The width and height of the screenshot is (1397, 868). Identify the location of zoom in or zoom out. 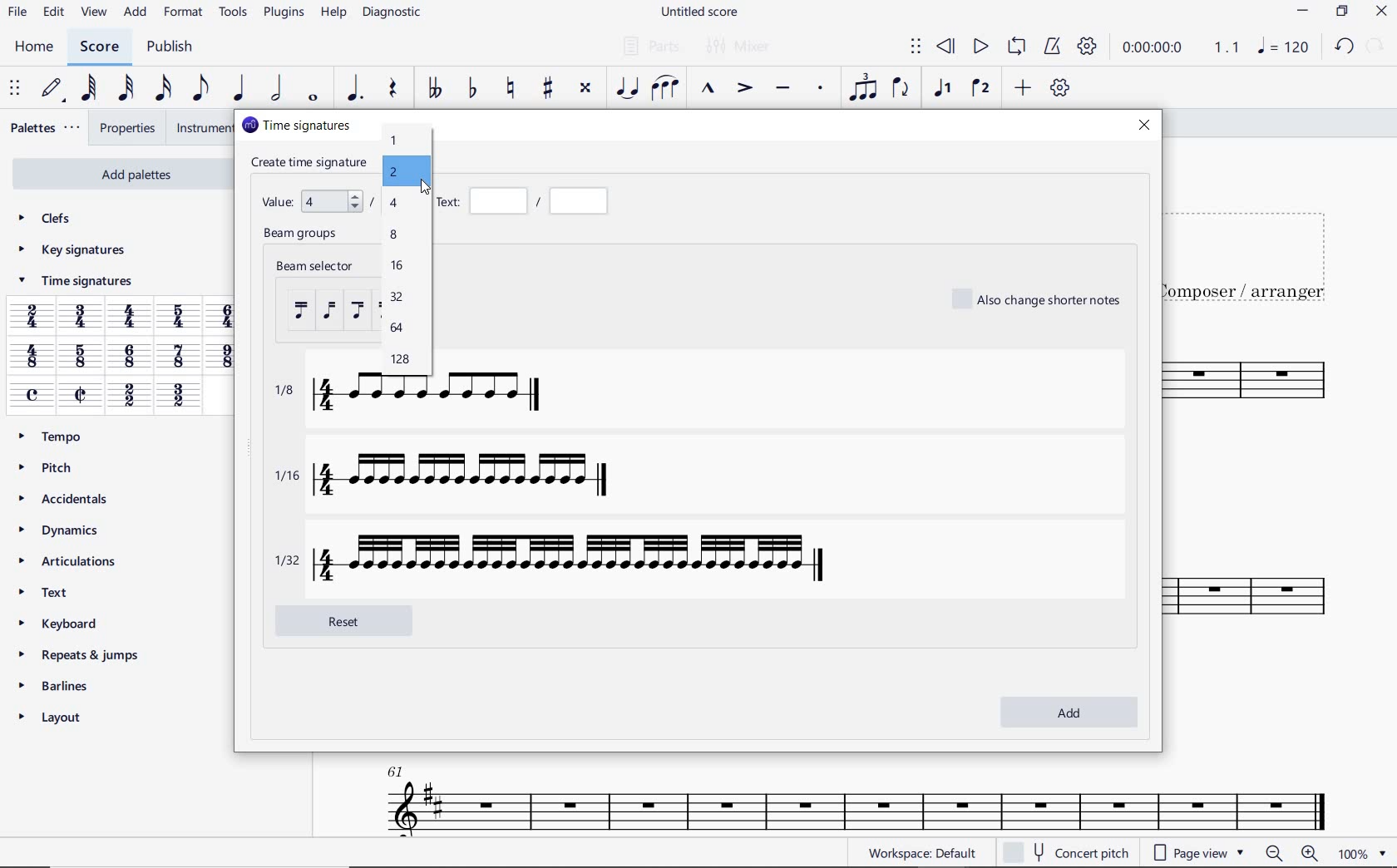
(1290, 852).